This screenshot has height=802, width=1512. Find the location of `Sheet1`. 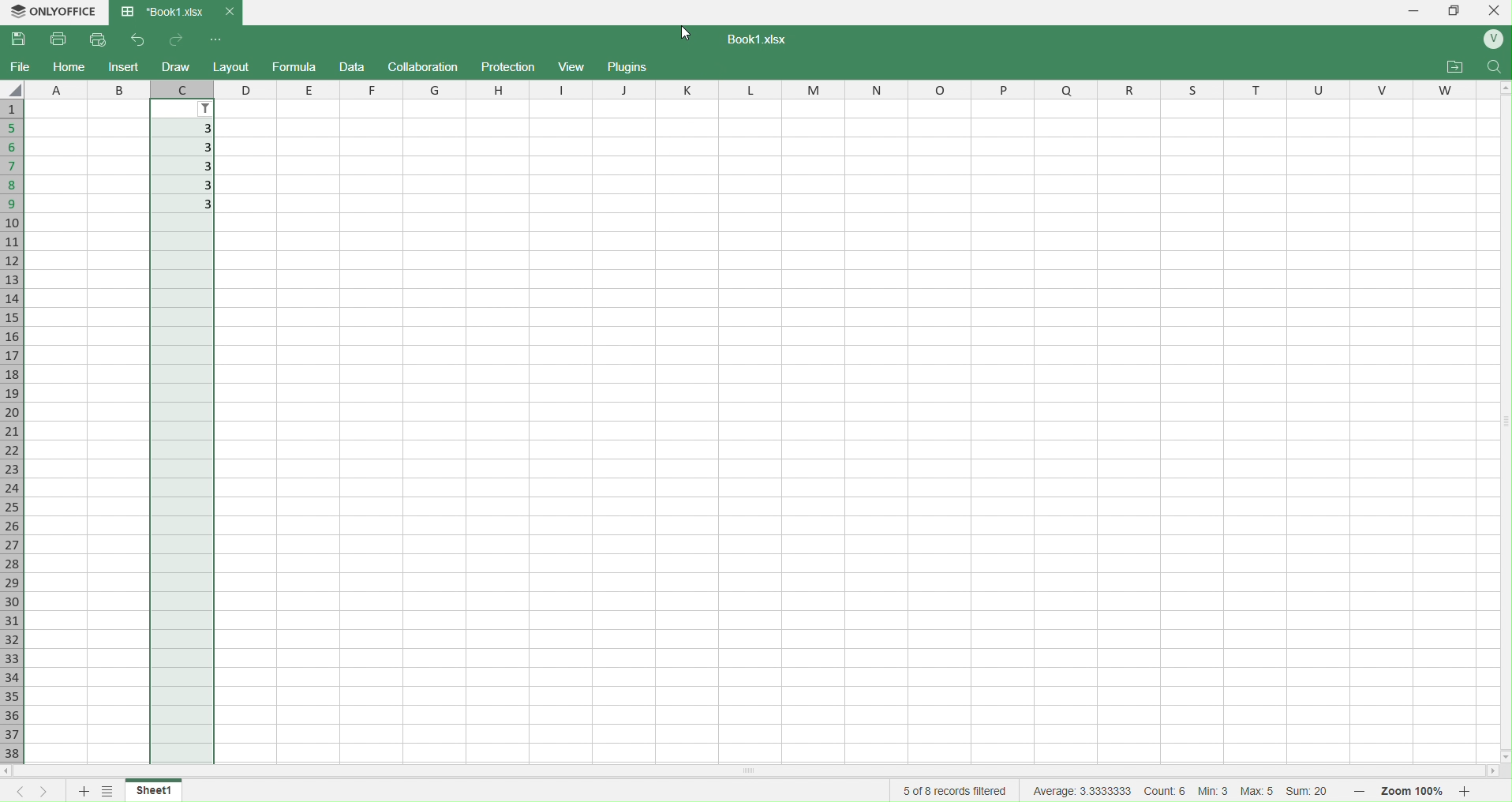

Sheet1 is located at coordinates (161, 790).